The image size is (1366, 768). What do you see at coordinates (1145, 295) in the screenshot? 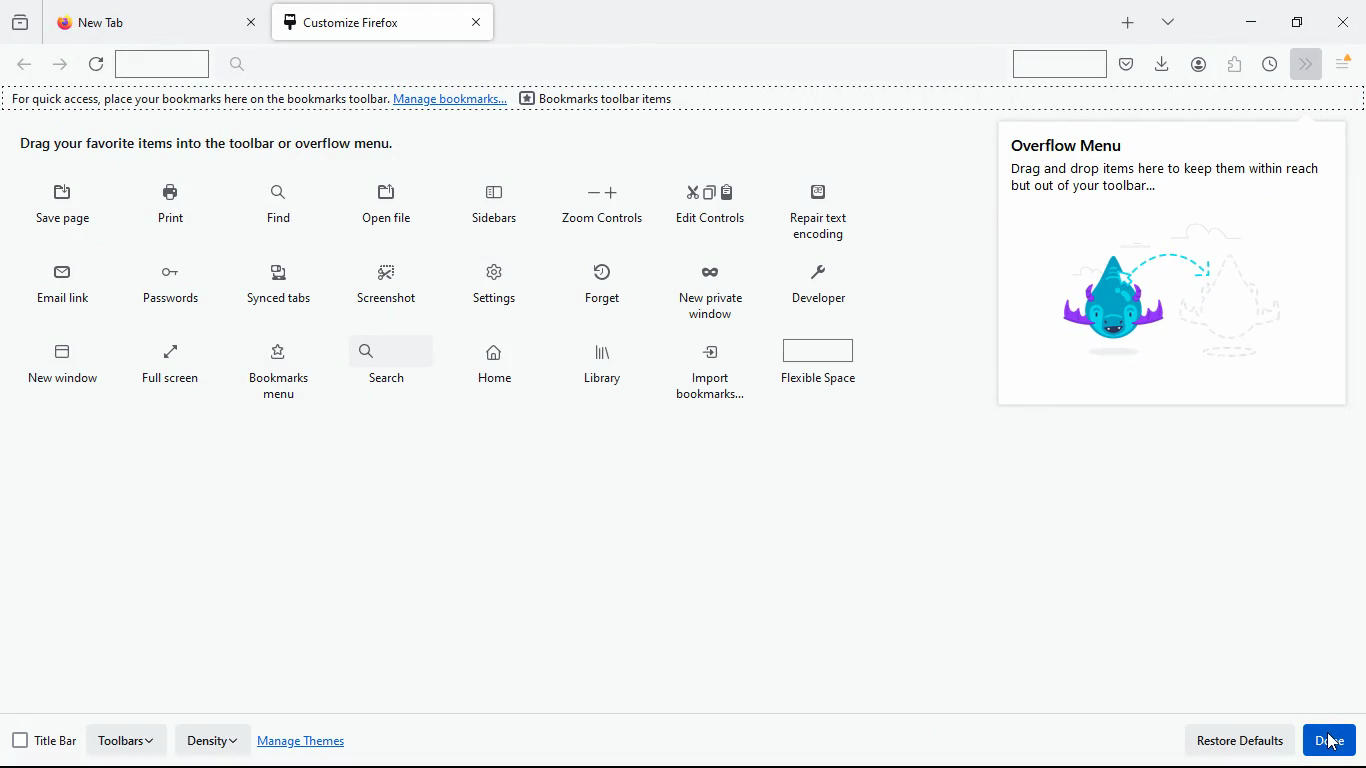
I see `symbol` at bounding box center [1145, 295].